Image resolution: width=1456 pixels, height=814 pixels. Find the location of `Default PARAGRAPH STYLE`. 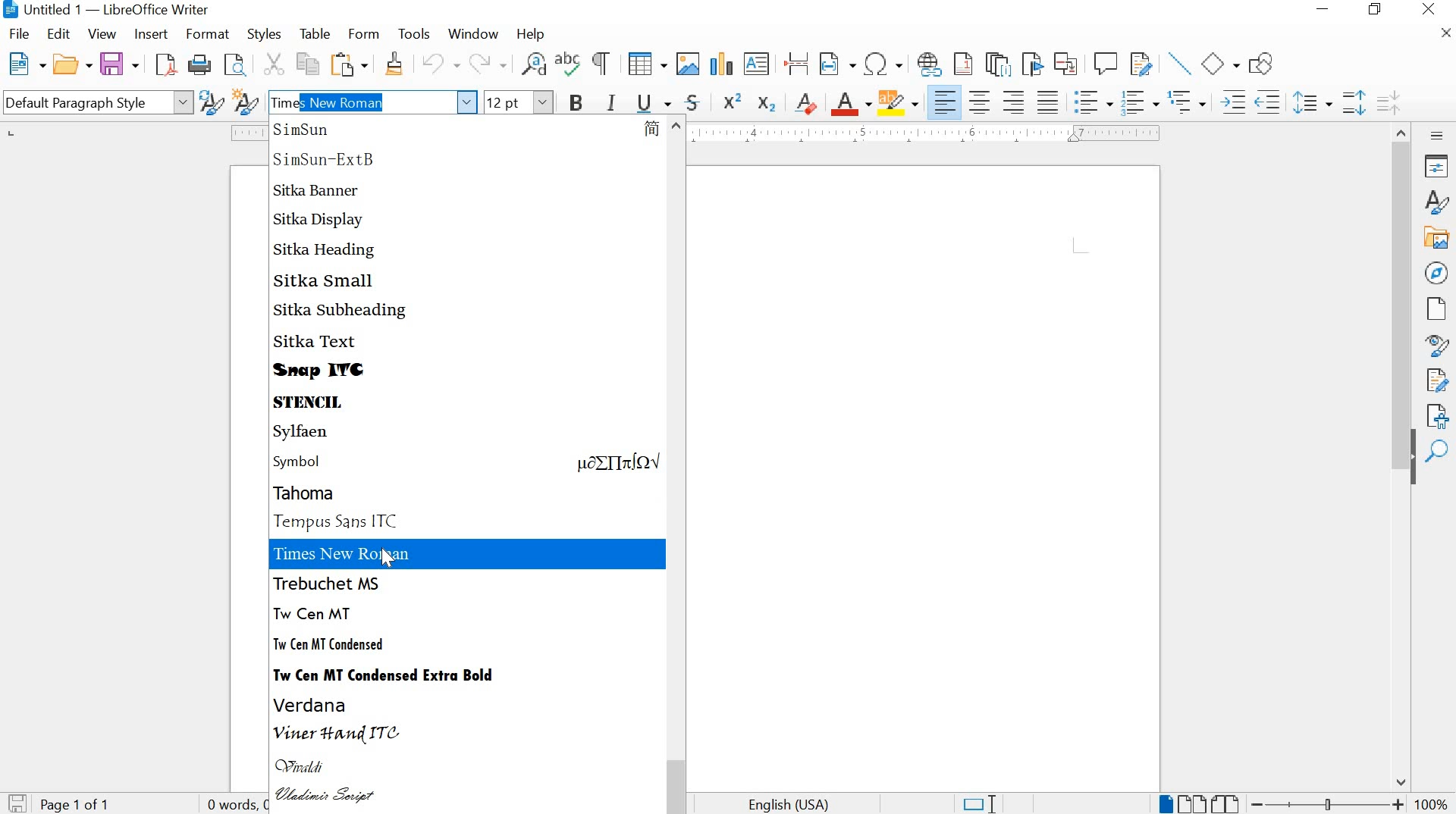

Default PARAGRAPH STYLE is located at coordinates (95, 102).